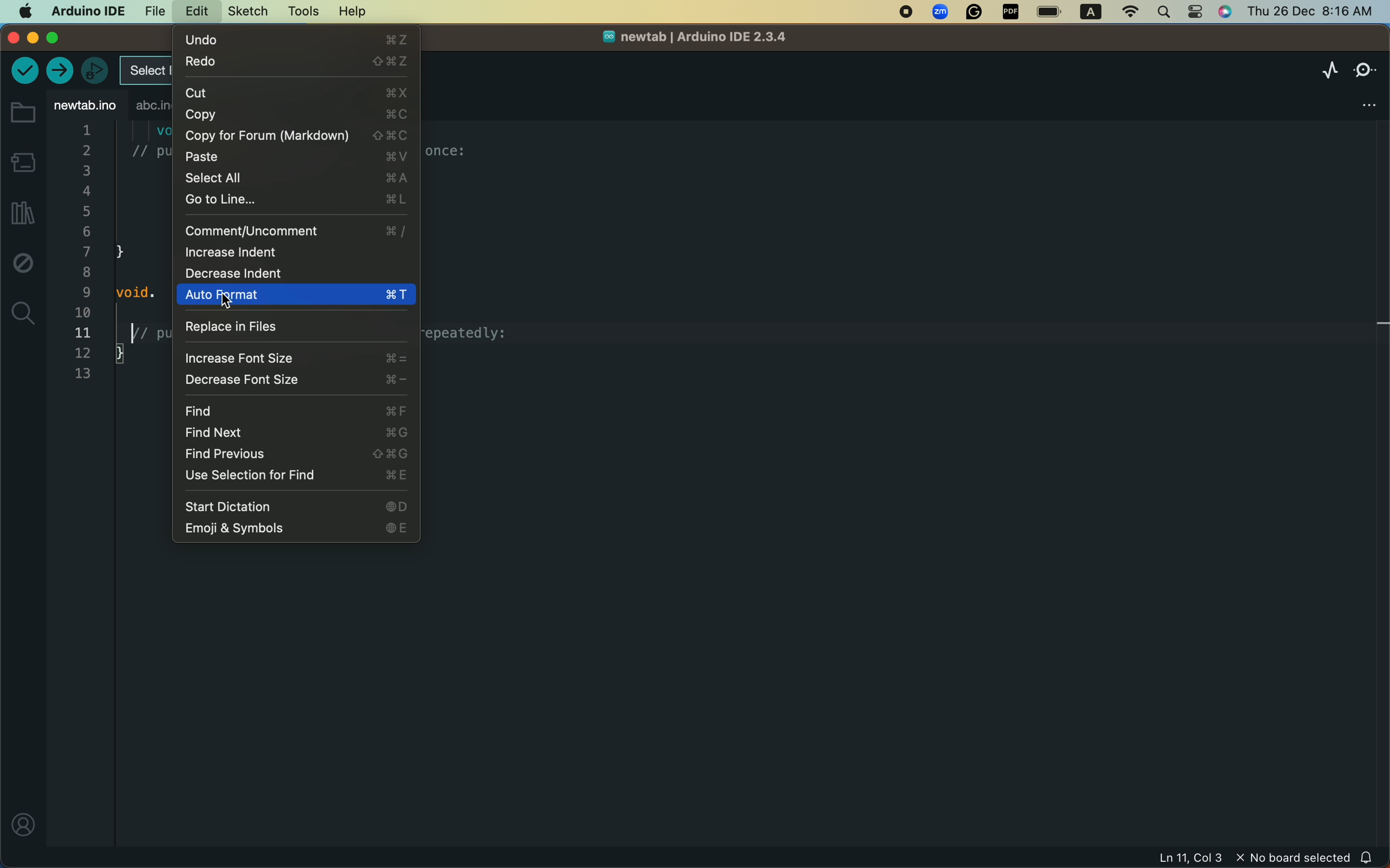  What do you see at coordinates (686, 40) in the screenshot?
I see `file name` at bounding box center [686, 40].